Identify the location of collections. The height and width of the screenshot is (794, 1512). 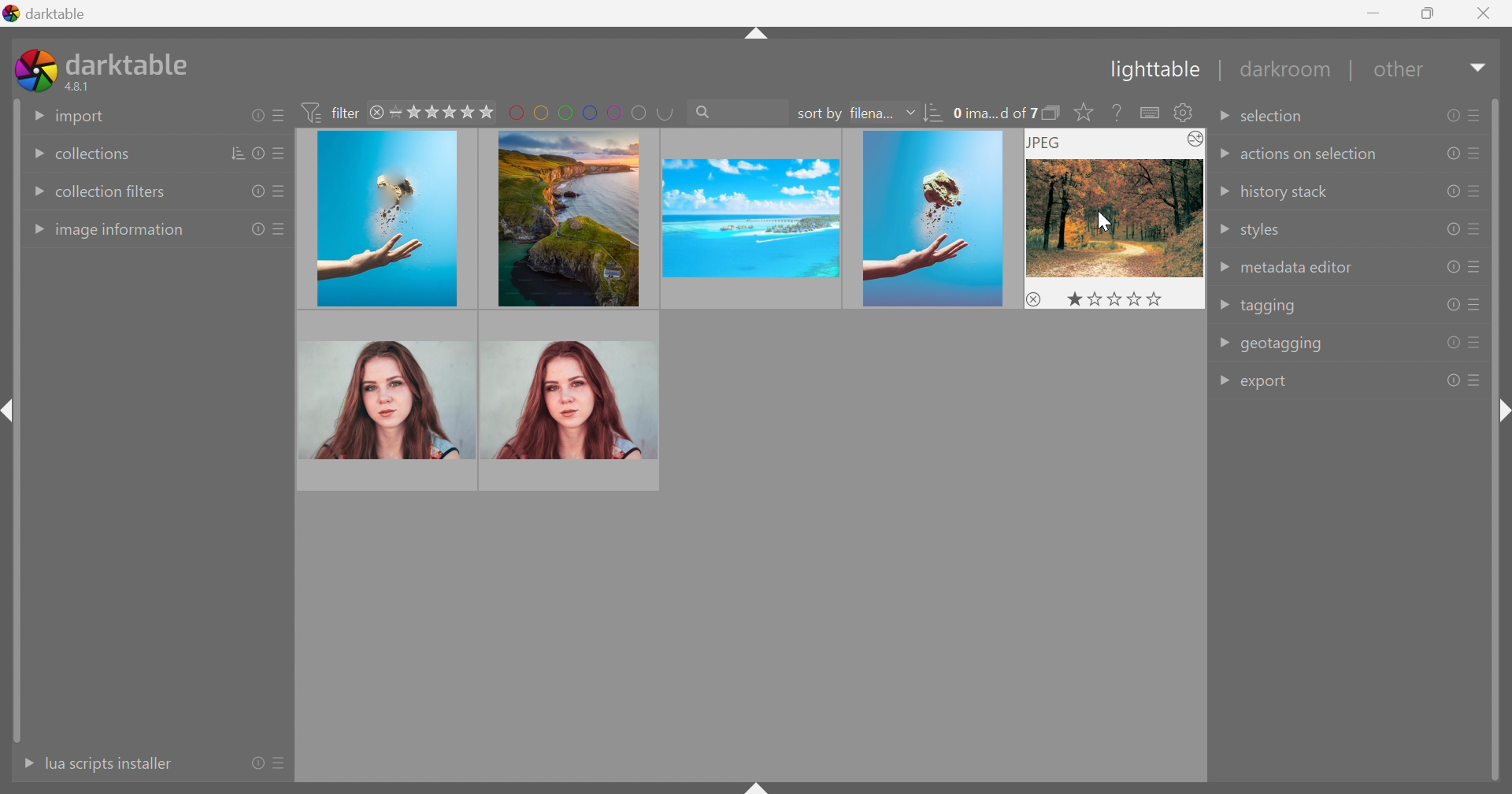
(91, 155).